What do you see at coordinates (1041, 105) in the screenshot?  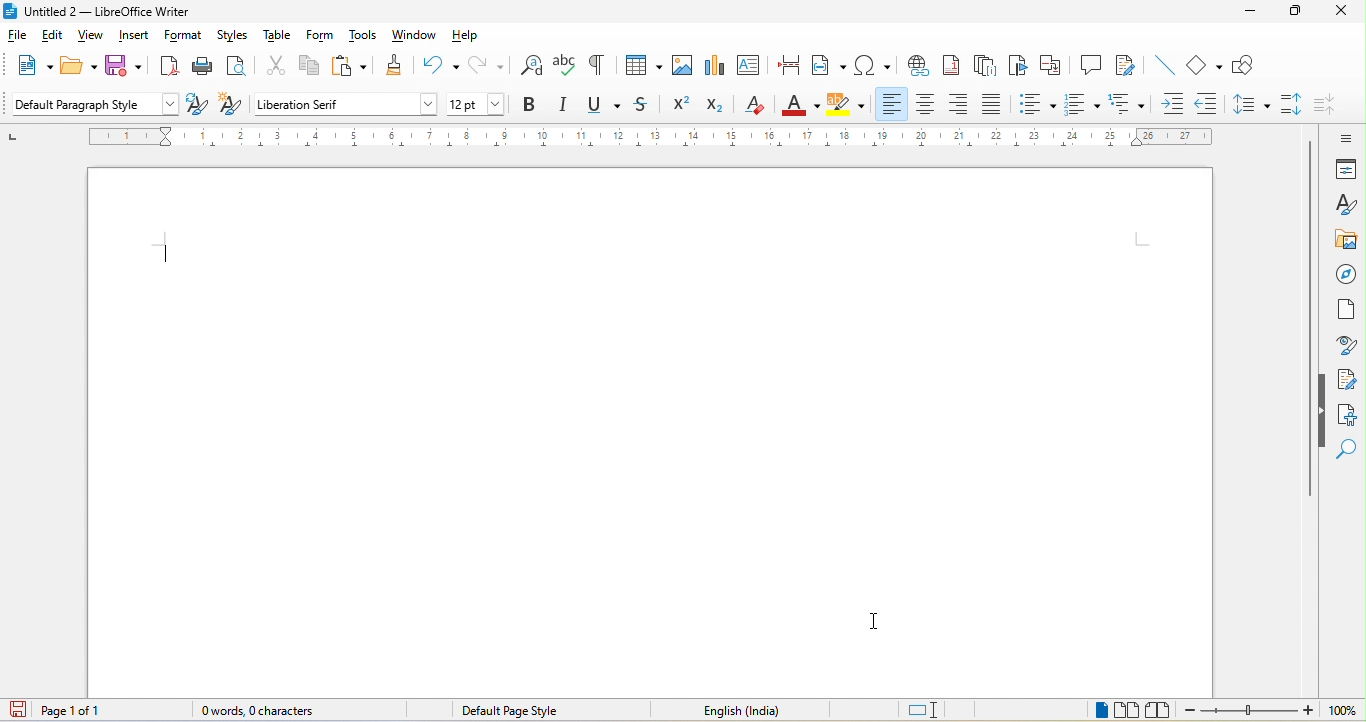 I see `unordered list` at bounding box center [1041, 105].